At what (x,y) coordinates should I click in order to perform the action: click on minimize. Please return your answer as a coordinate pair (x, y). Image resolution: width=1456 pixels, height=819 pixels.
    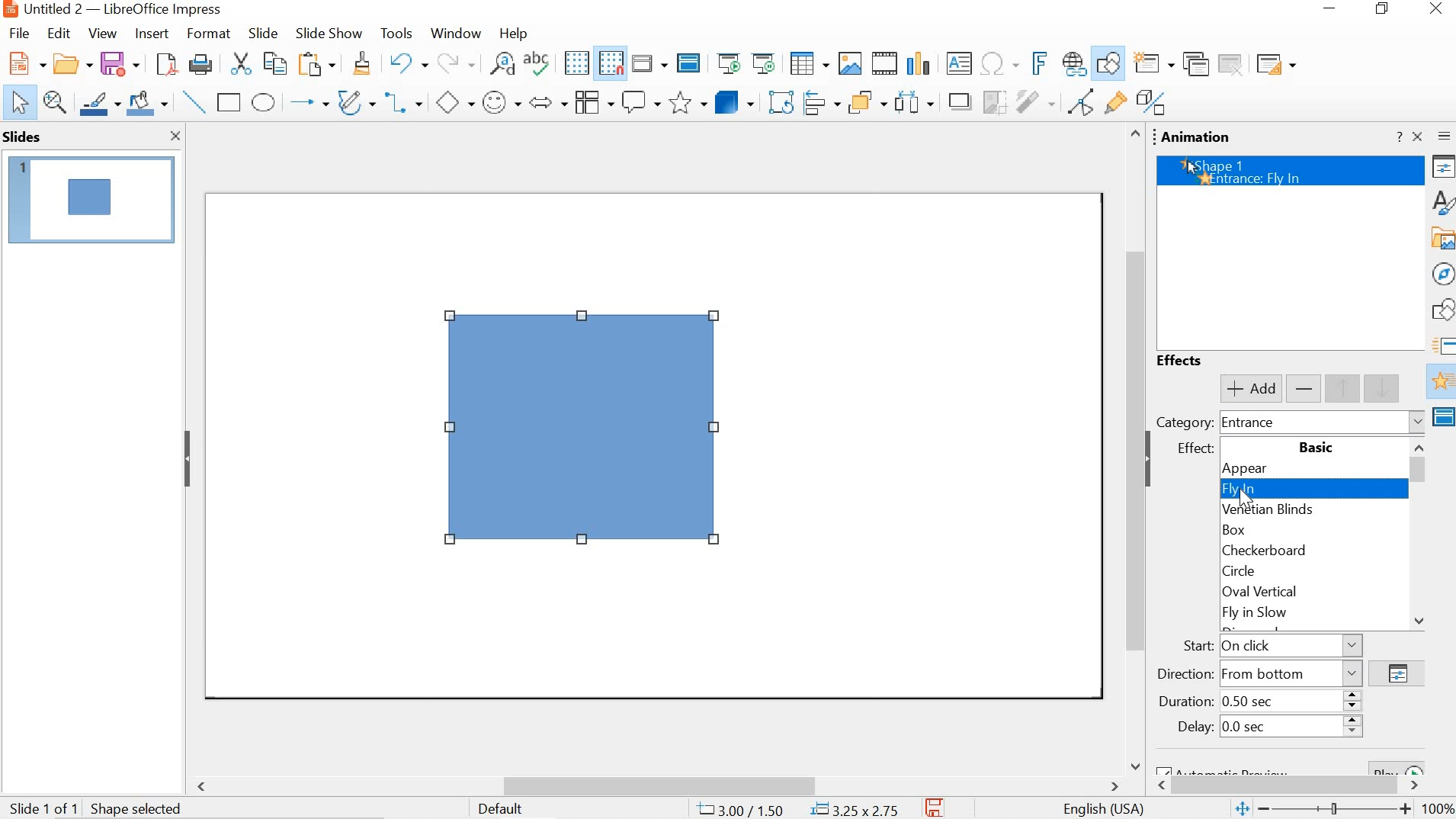
    Looking at the image, I should click on (1326, 9).